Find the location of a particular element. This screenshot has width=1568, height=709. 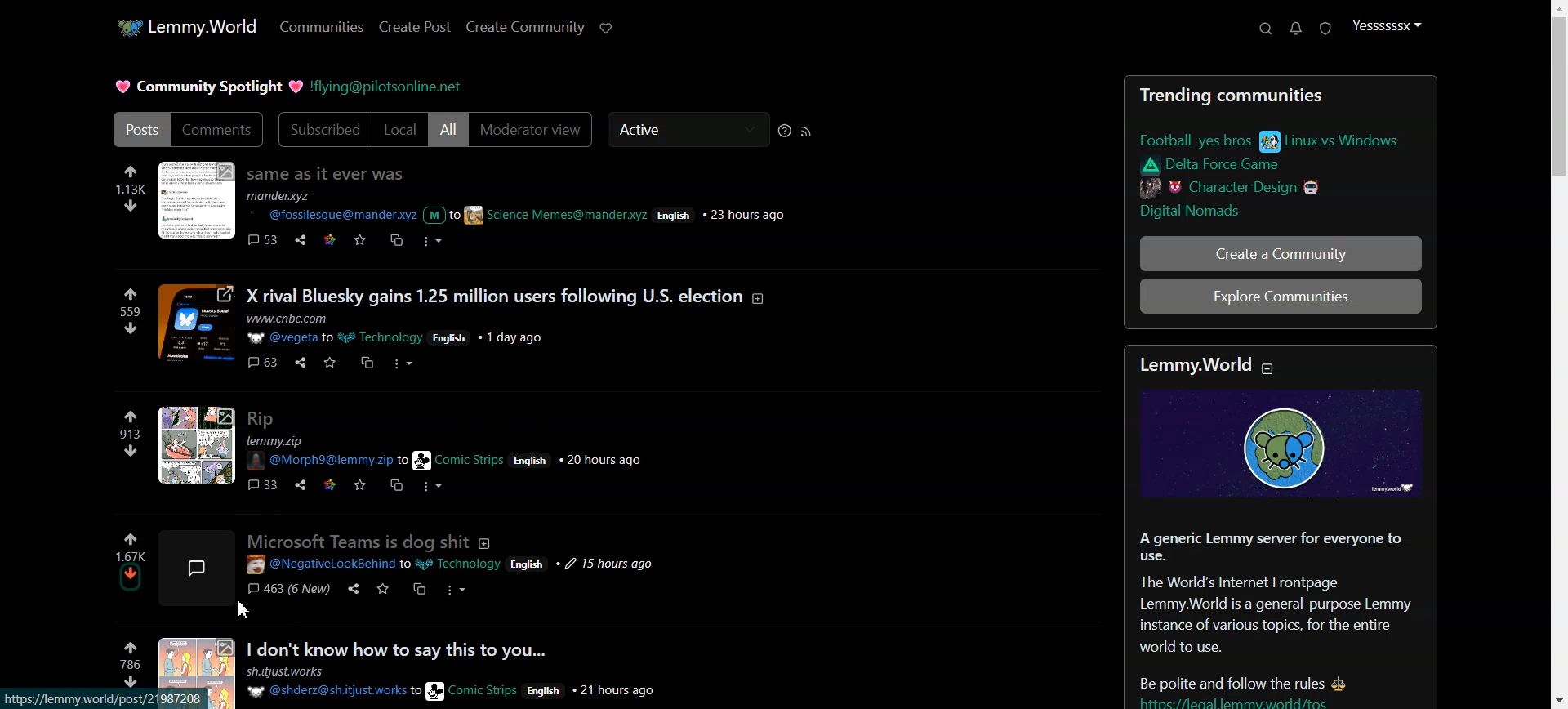

Unread Message is located at coordinates (1295, 29).